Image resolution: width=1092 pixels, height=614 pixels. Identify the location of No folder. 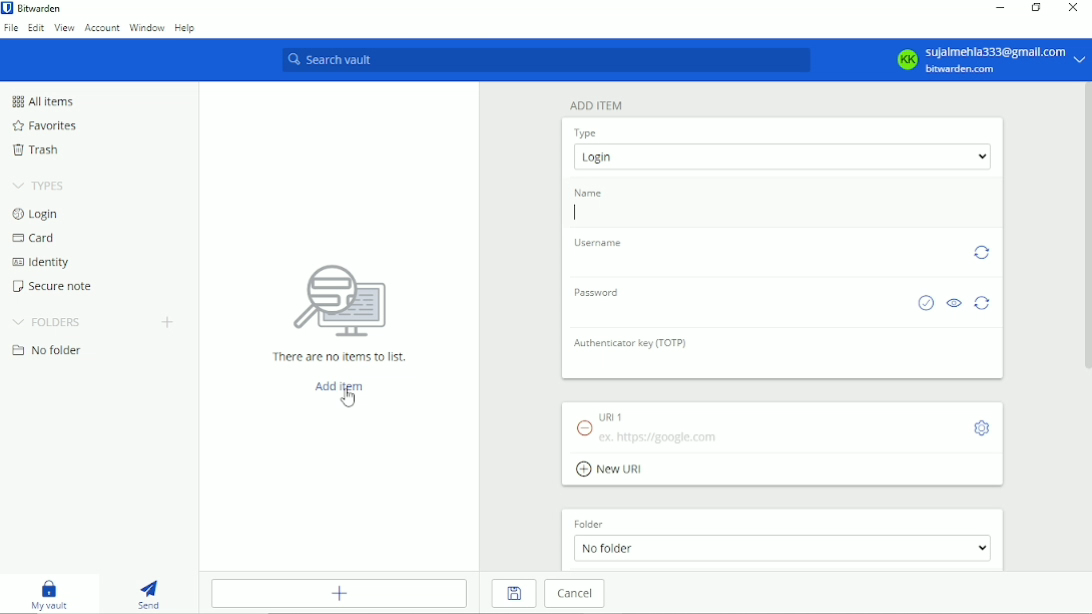
(49, 350).